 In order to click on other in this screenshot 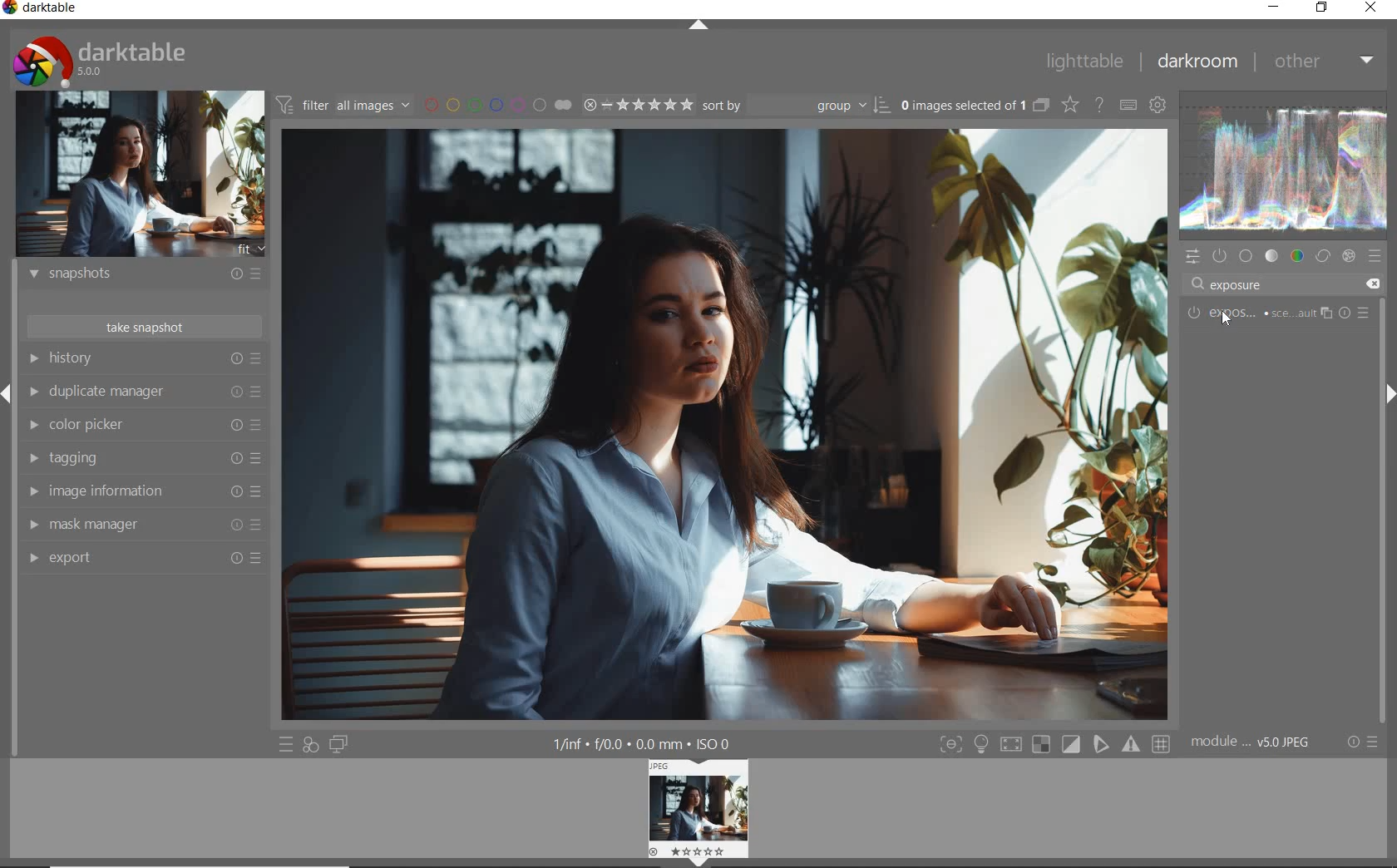, I will do `click(1325, 64)`.